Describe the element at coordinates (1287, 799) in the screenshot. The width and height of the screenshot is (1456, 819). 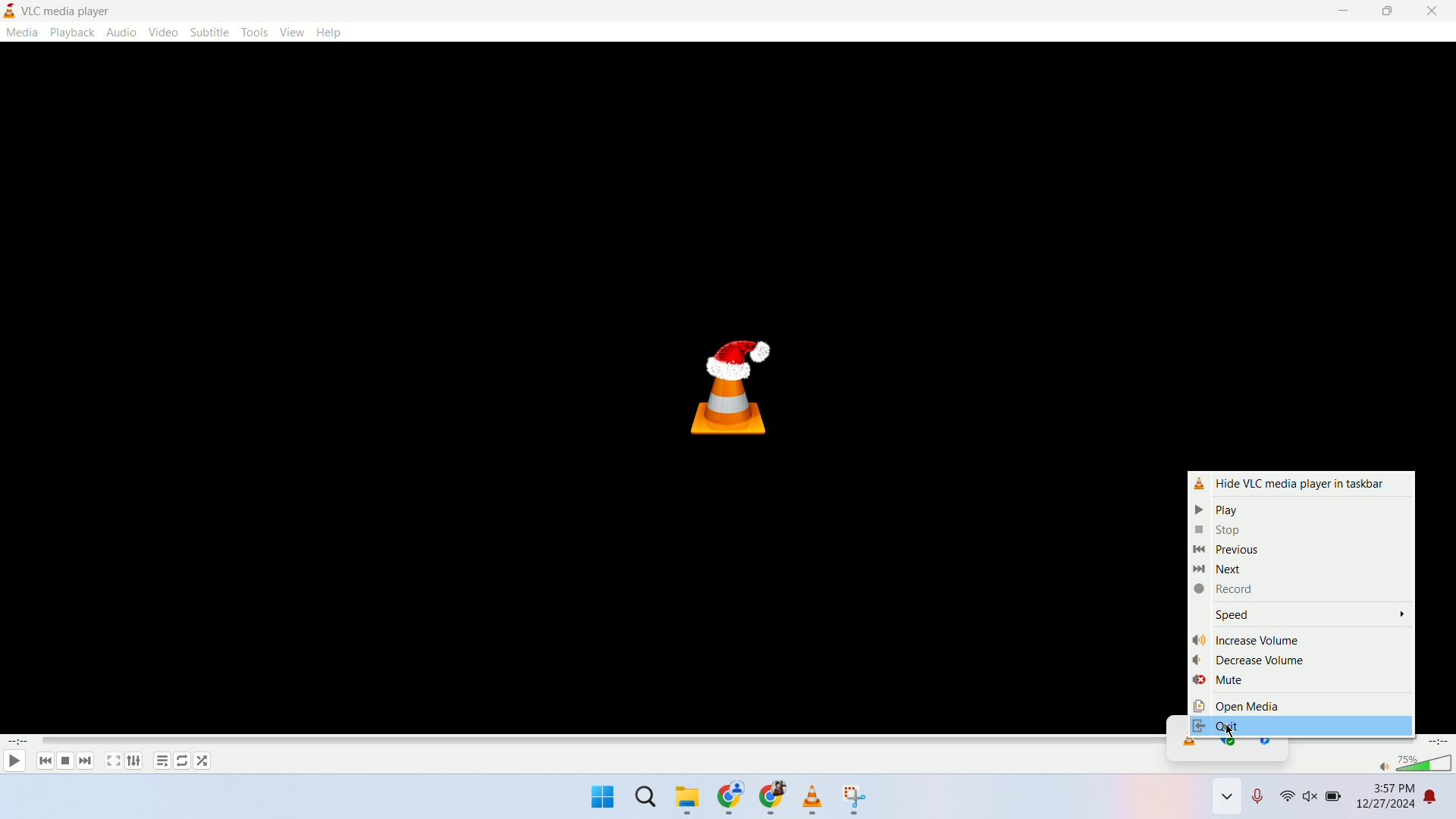
I see `wifi` at that location.